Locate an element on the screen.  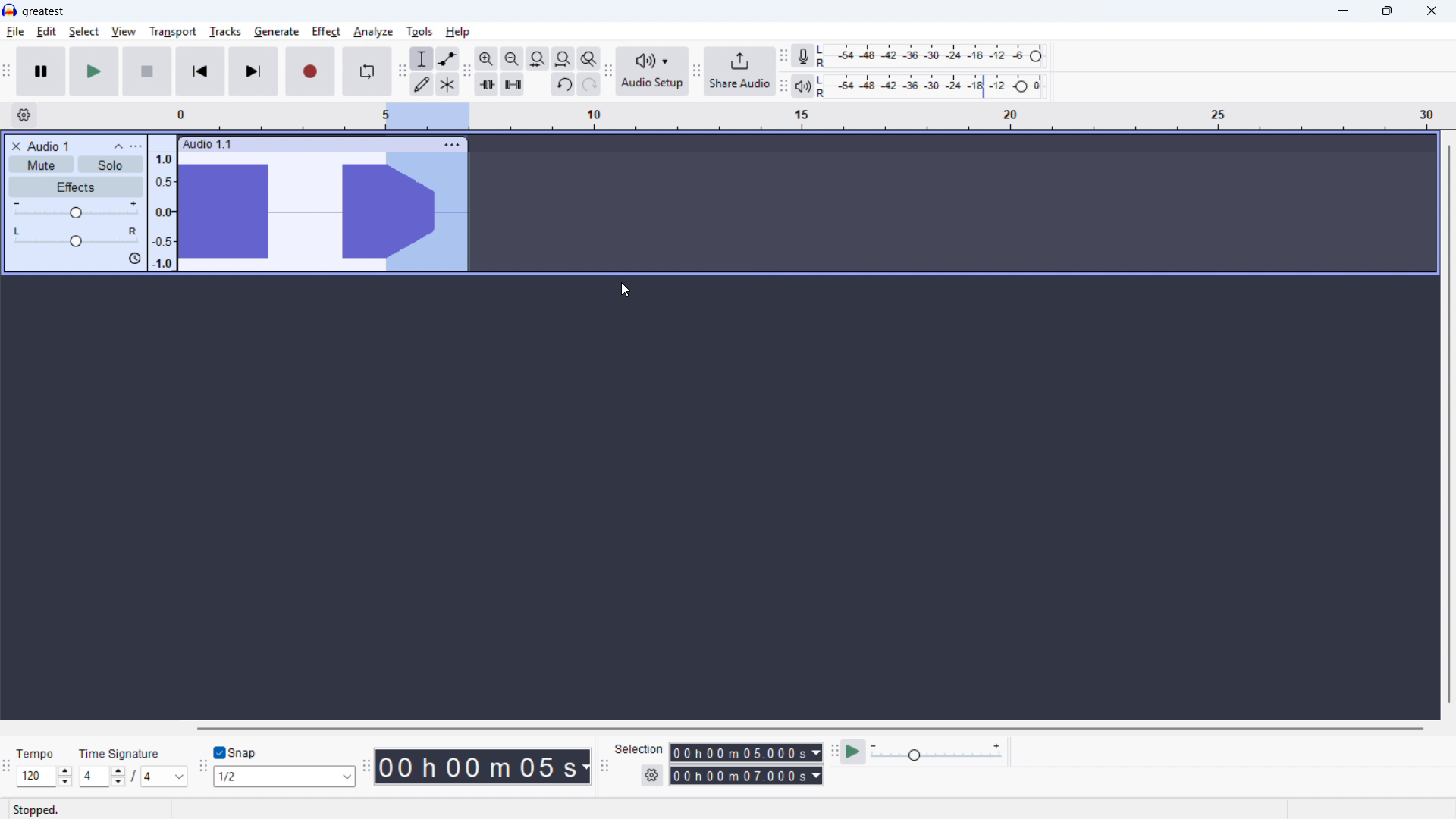
generate is located at coordinates (277, 33).